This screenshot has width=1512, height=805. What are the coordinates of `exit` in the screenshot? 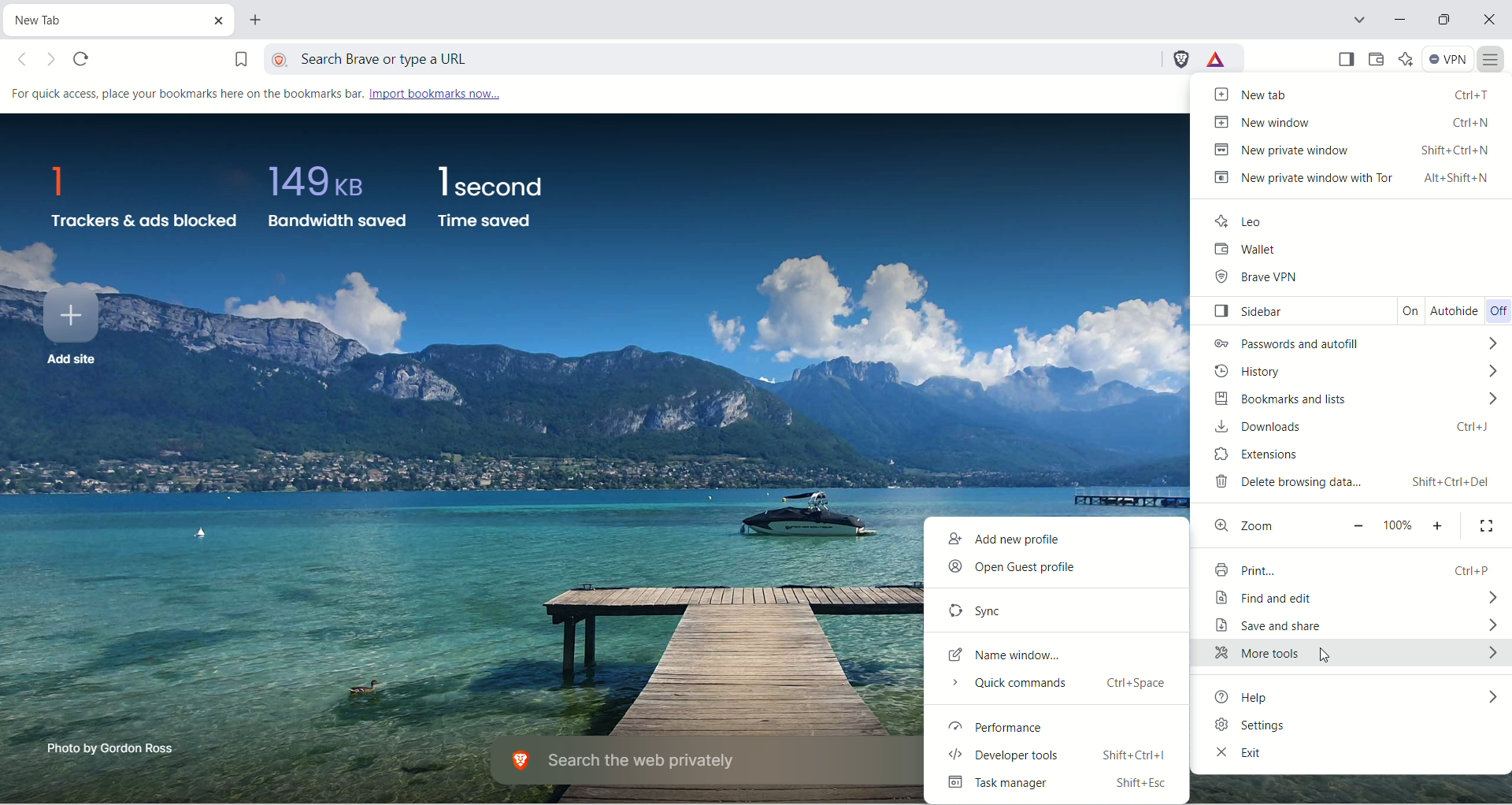 It's located at (1351, 757).